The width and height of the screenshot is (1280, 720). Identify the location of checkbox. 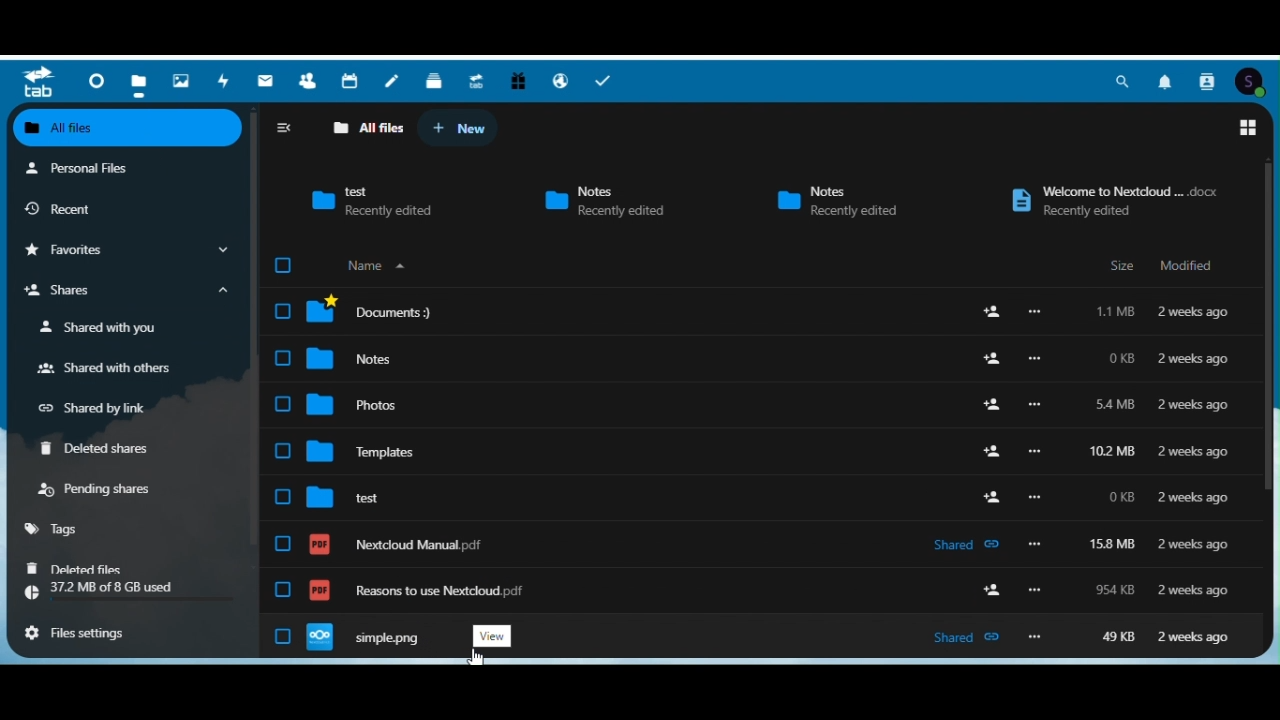
(283, 496).